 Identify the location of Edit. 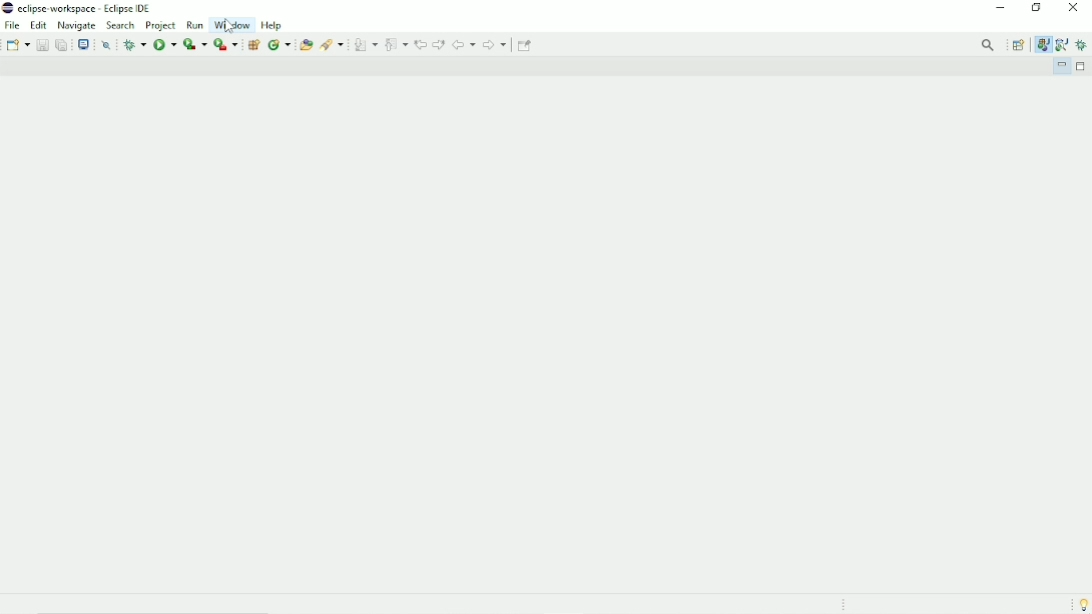
(39, 24).